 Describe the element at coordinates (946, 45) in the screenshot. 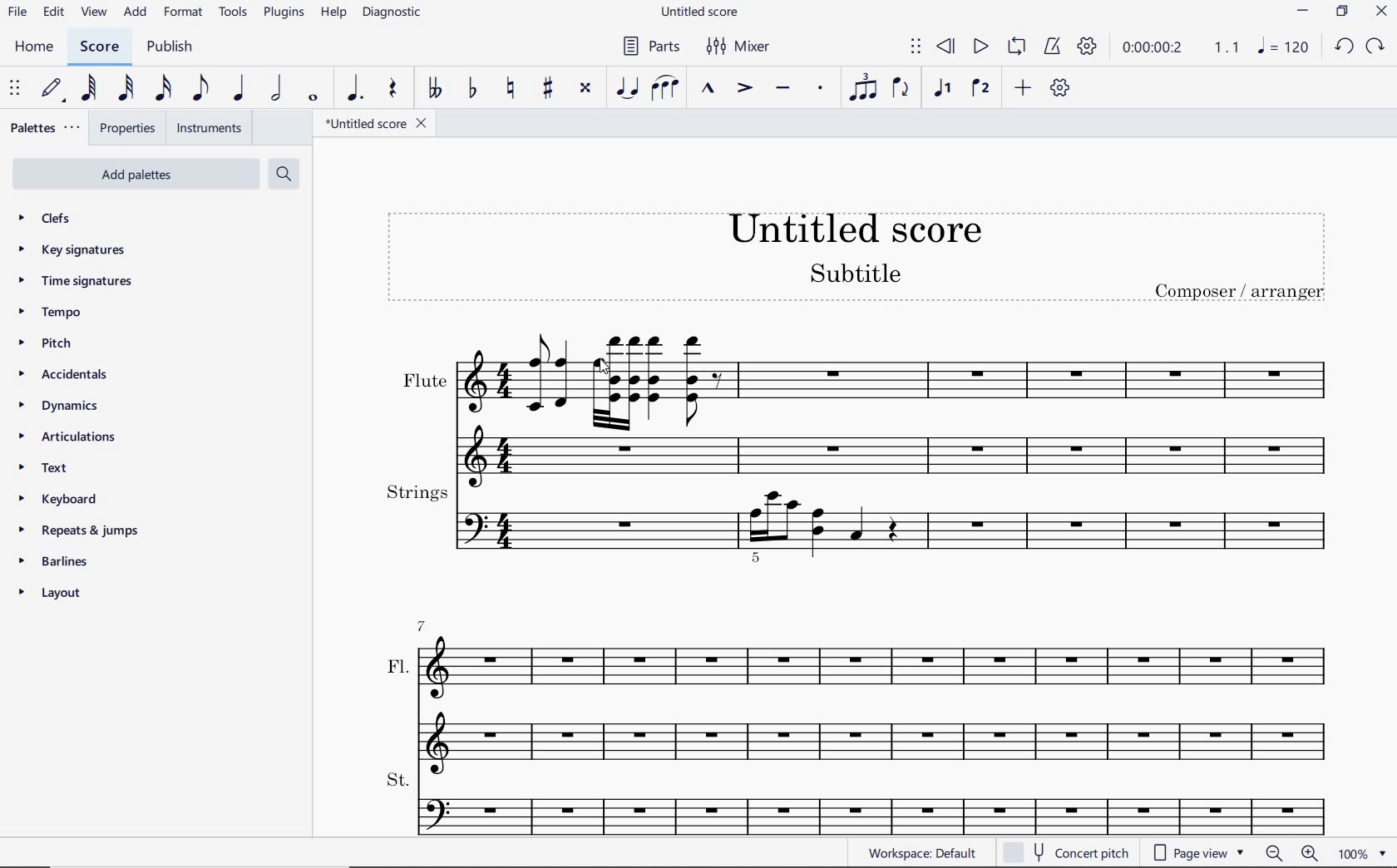

I see `REWIND` at that location.